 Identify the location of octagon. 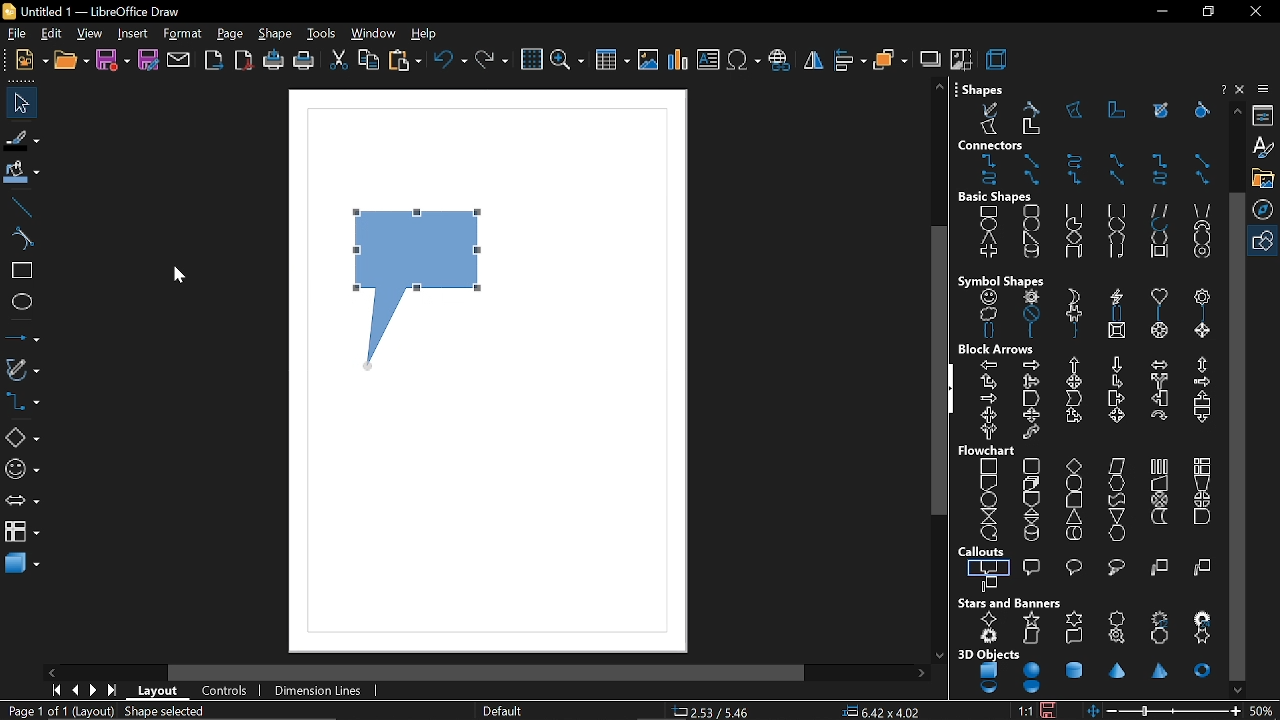
(1200, 239).